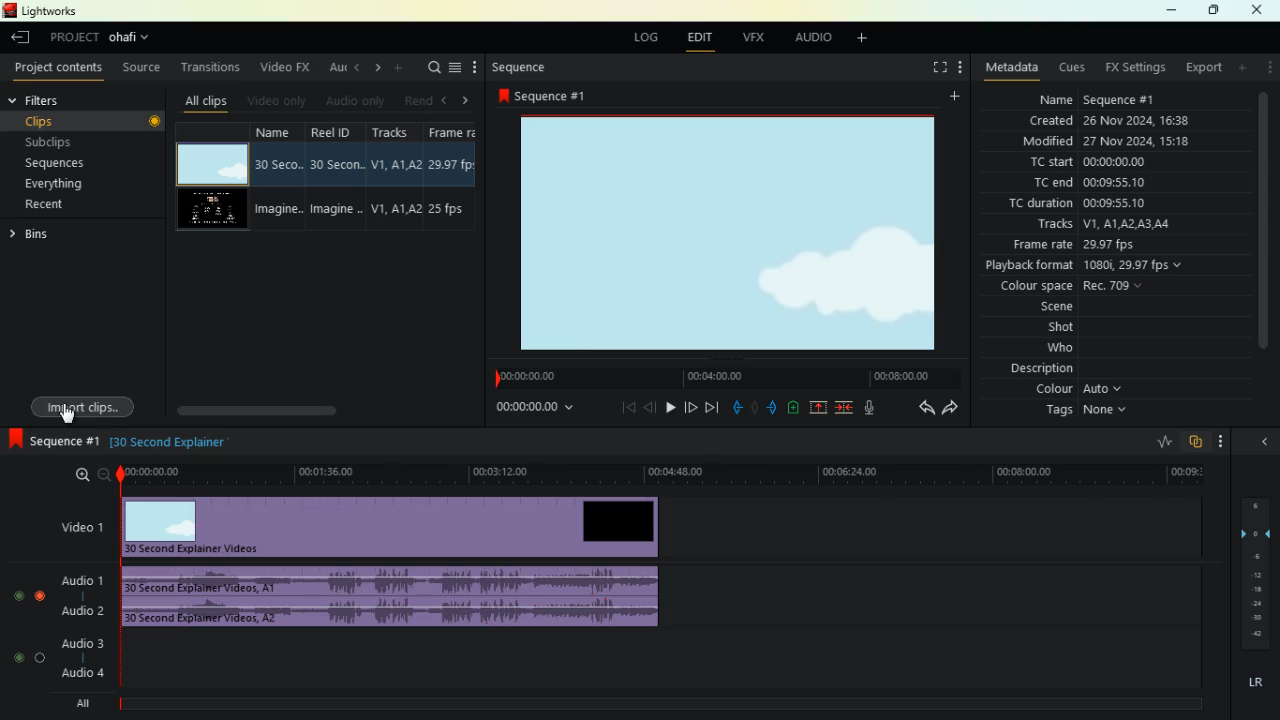 This screenshot has height=720, width=1280. I want to click on sequence, so click(533, 68).